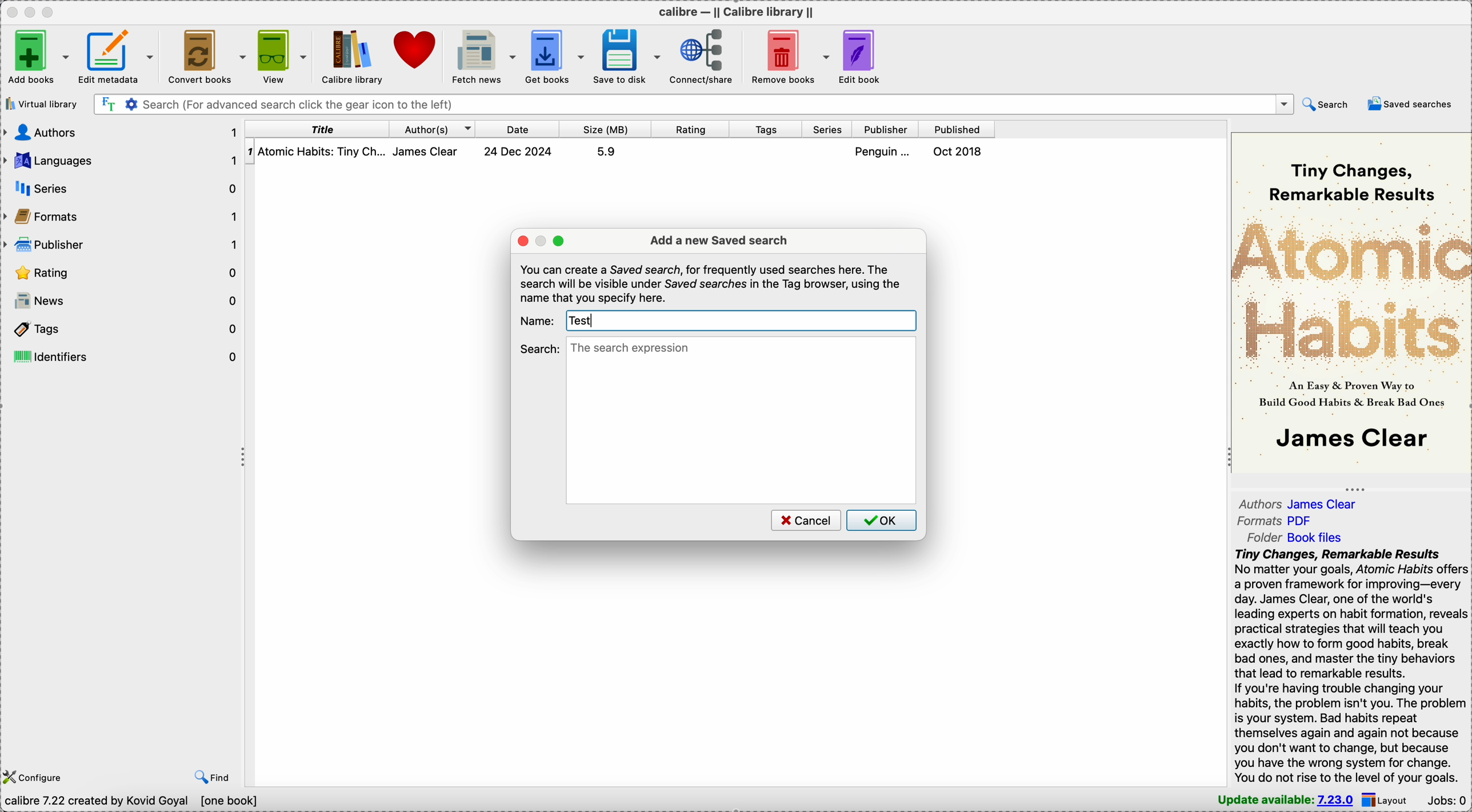 The image size is (1472, 812). What do you see at coordinates (250, 151) in the screenshot?
I see `1 - index number` at bounding box center [250, 151].